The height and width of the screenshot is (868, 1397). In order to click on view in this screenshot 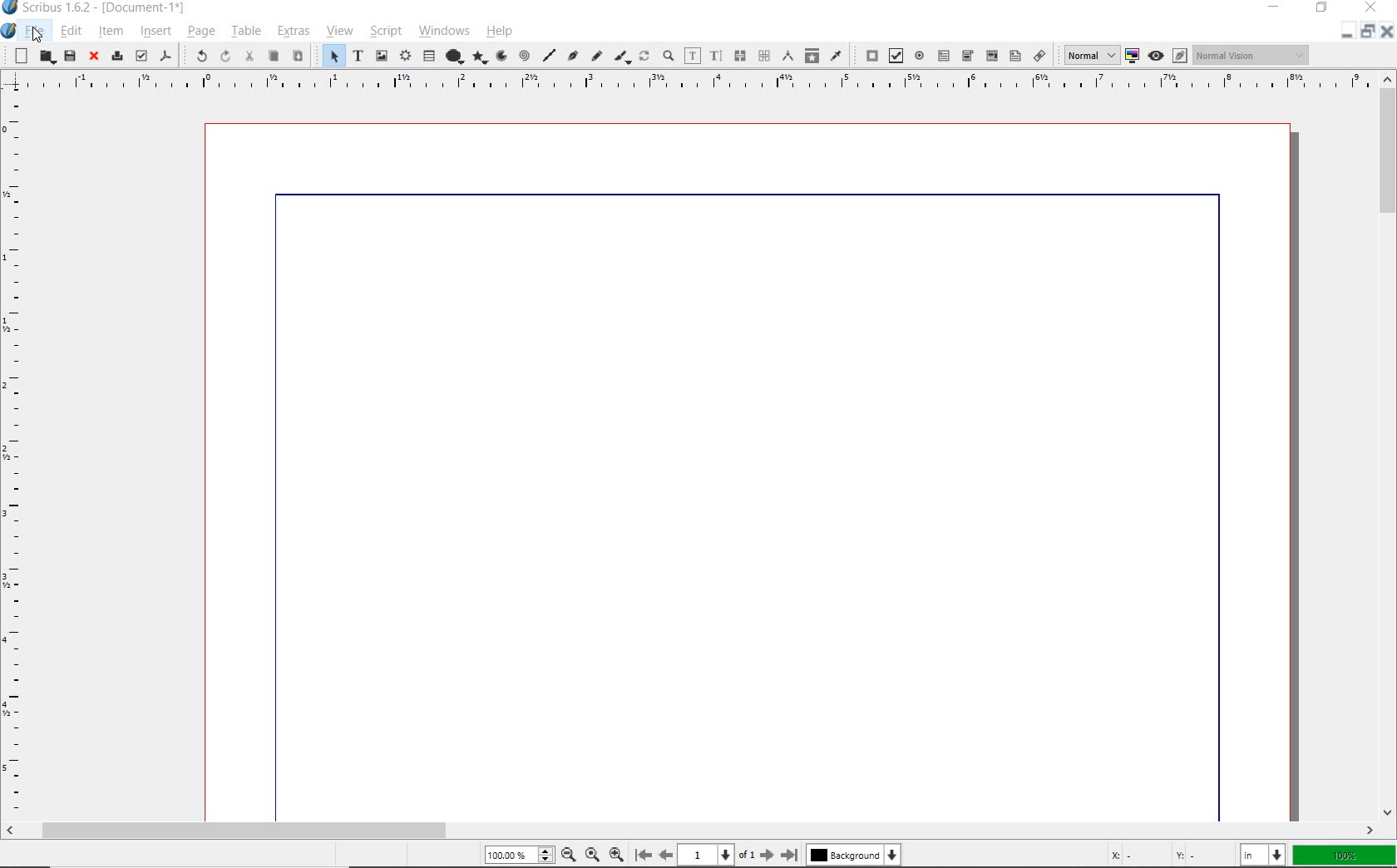, I will do `click(338, 32)`.